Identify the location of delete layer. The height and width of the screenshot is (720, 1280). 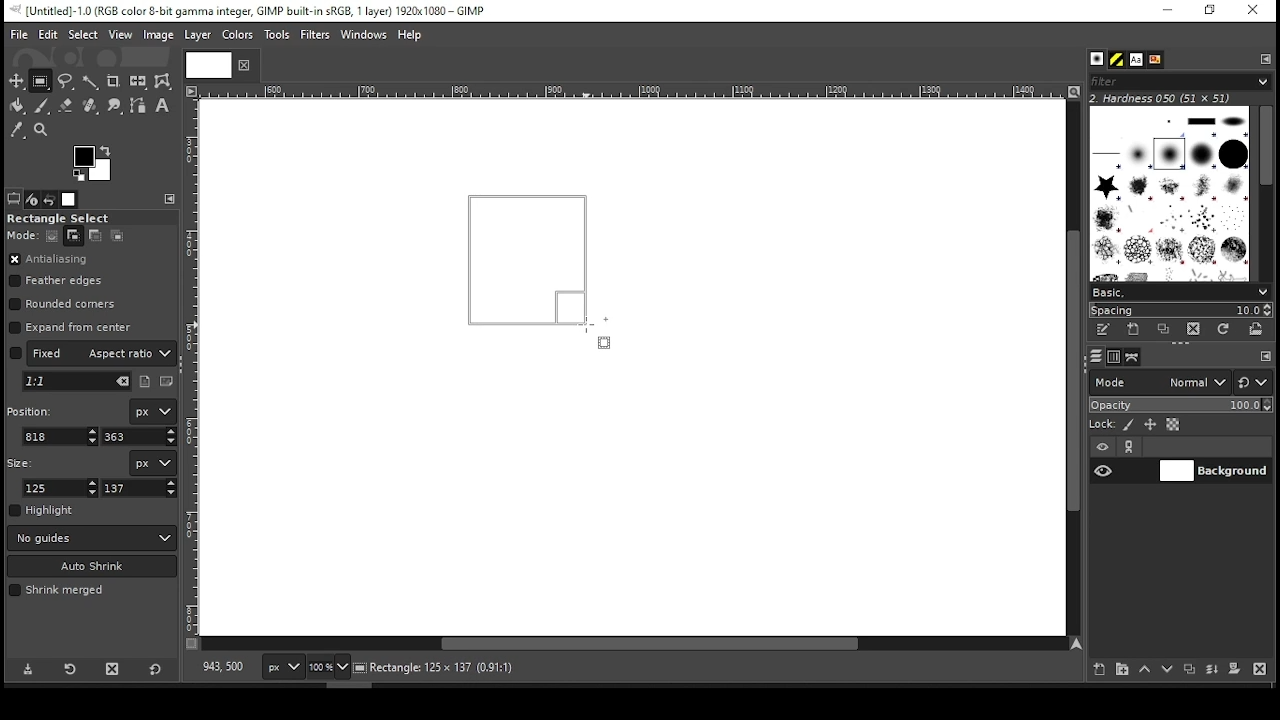
(1259, 669).